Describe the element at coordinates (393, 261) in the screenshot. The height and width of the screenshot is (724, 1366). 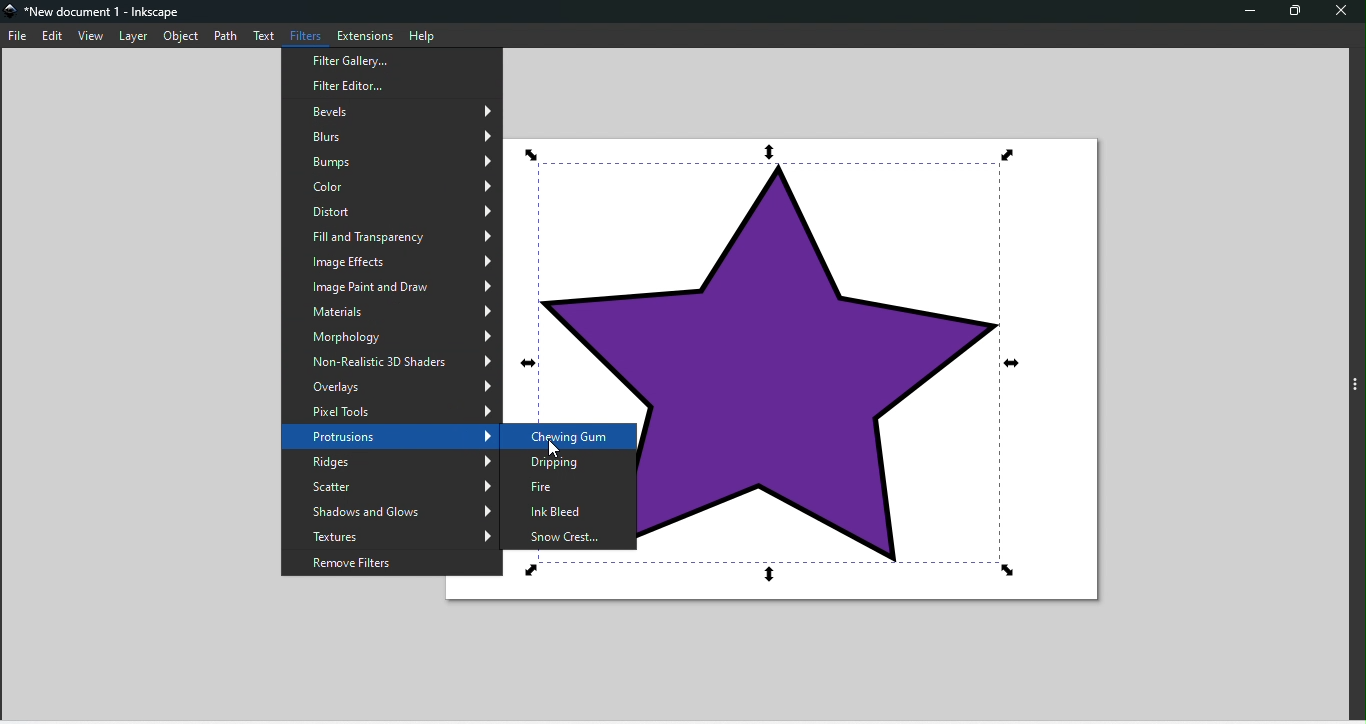
I see `Image effects` at that location.